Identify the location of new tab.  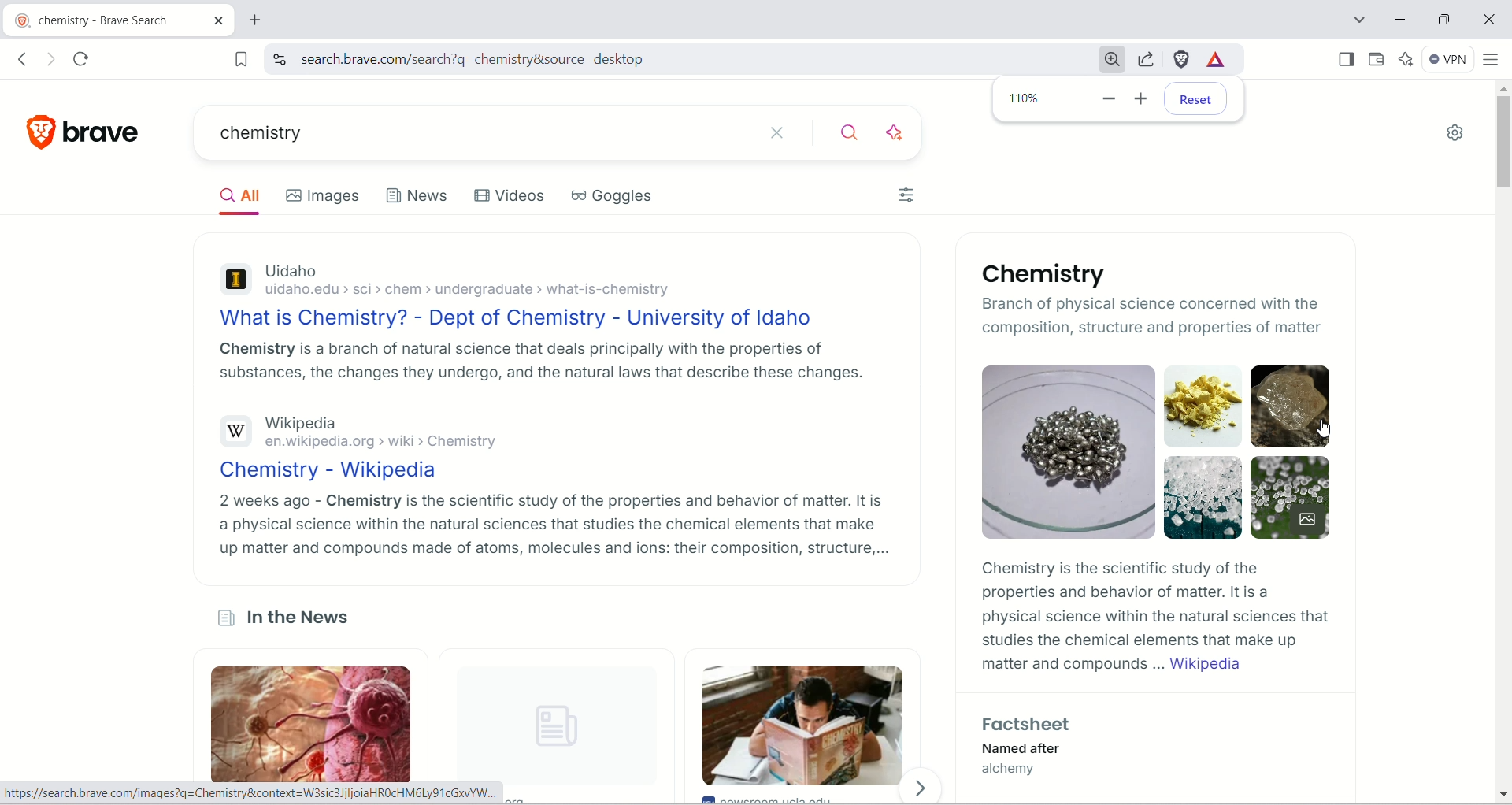
(257, 20).